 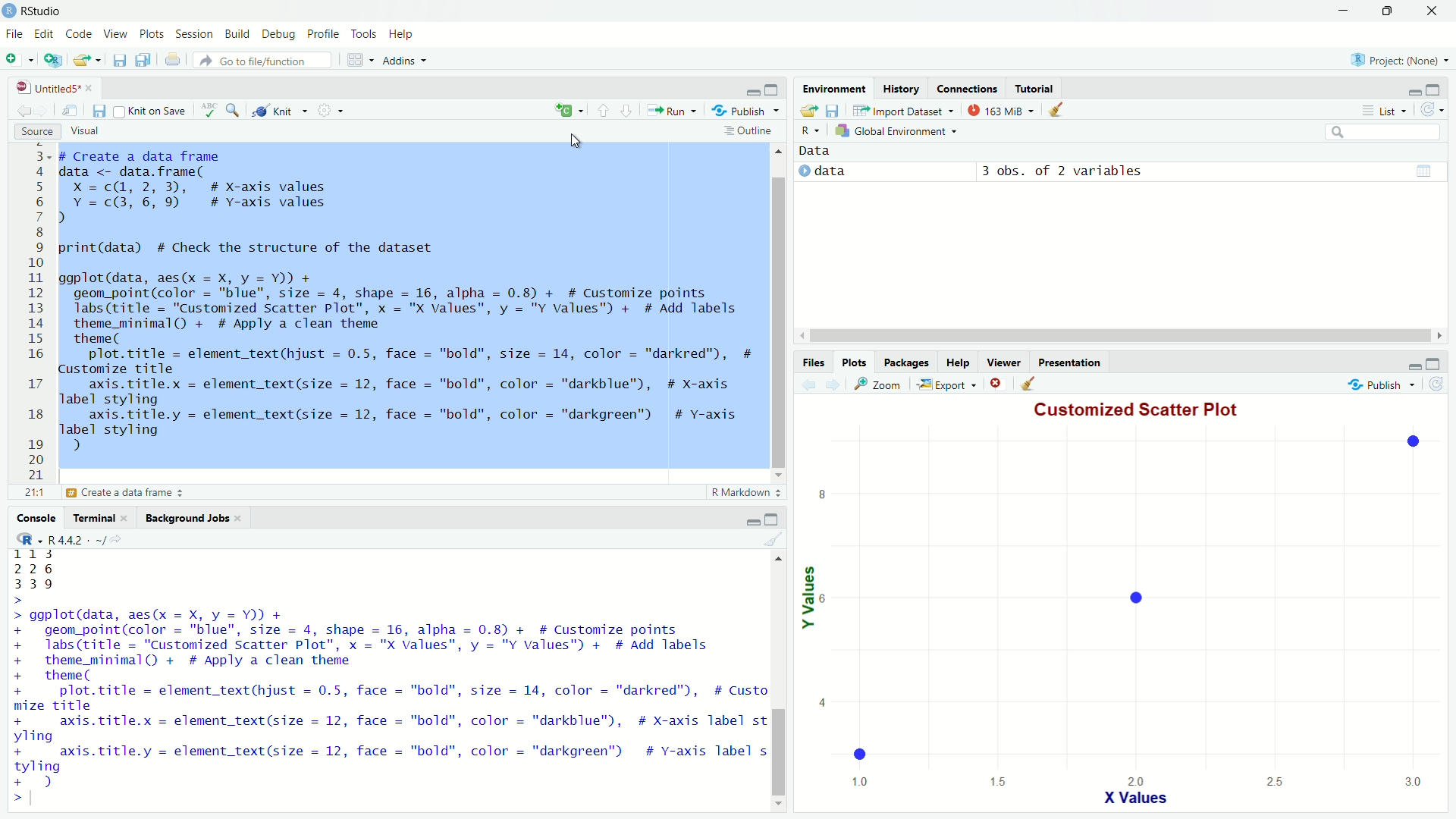 I want to click on Save file, so click(x=833, y=111).